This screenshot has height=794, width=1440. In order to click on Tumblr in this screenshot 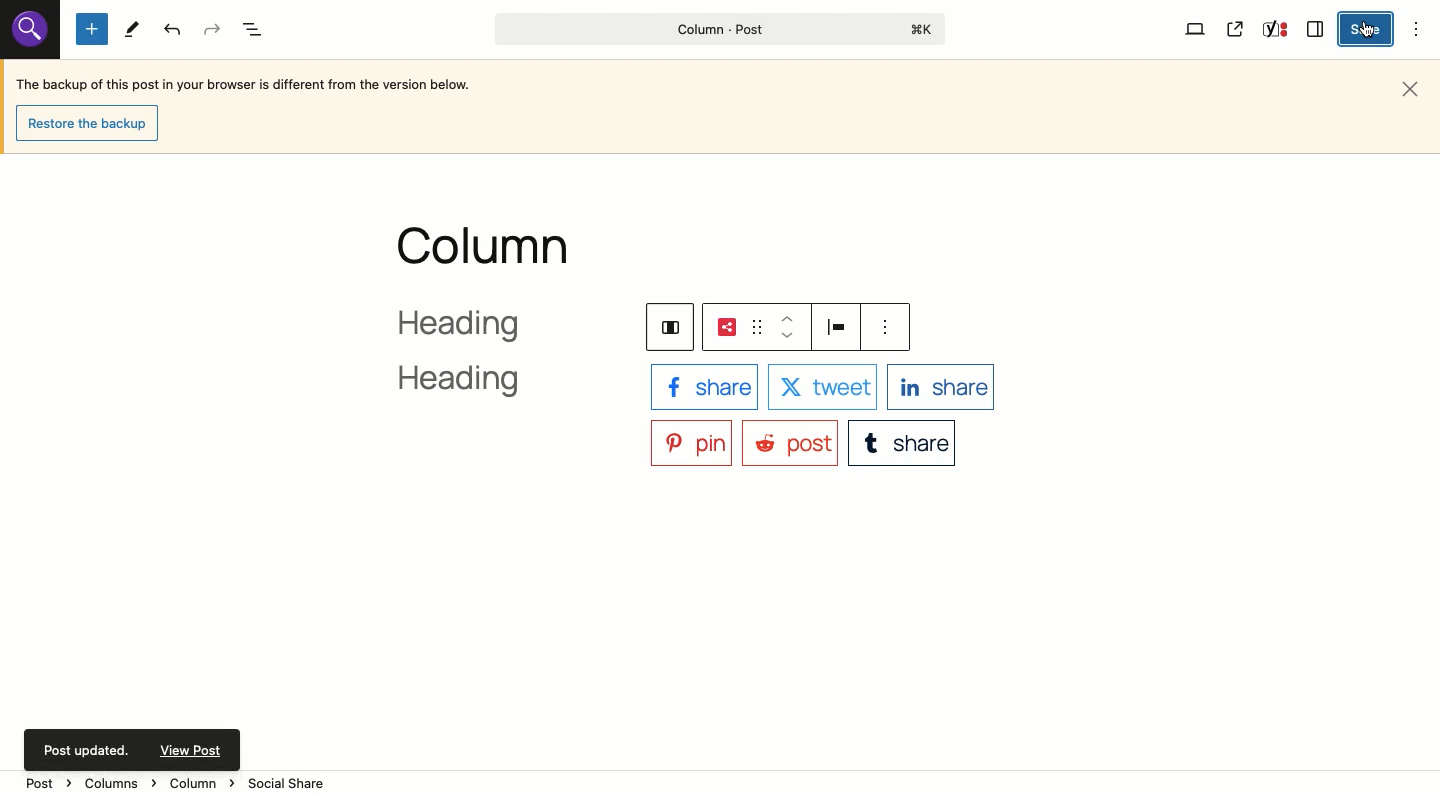, I will do `click(904, 441)`.